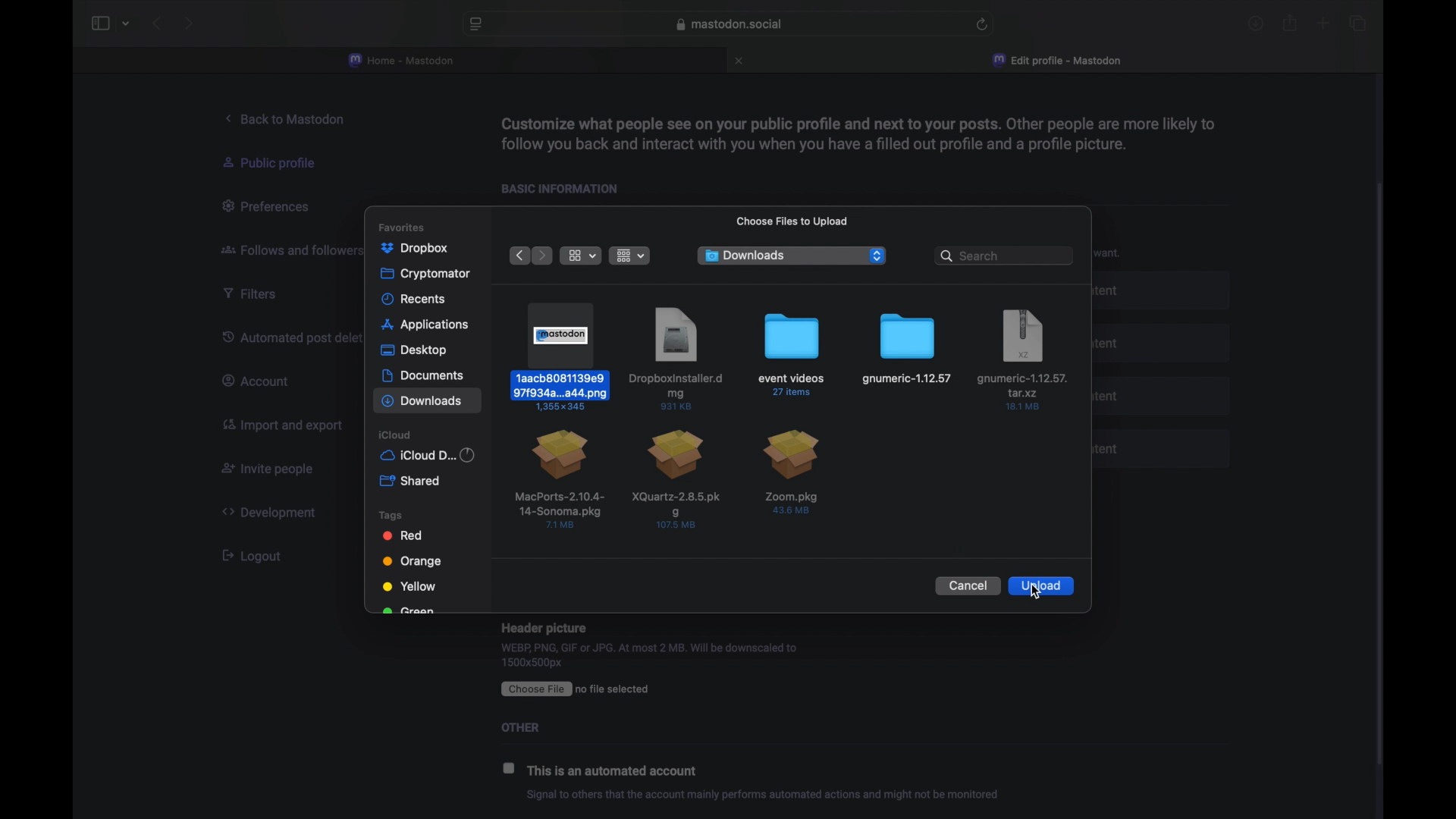 The height and width of the screenshot is (819, 1456). Describe the element at coordinates (856, 133) in the screenshot. I see `info` at that location.